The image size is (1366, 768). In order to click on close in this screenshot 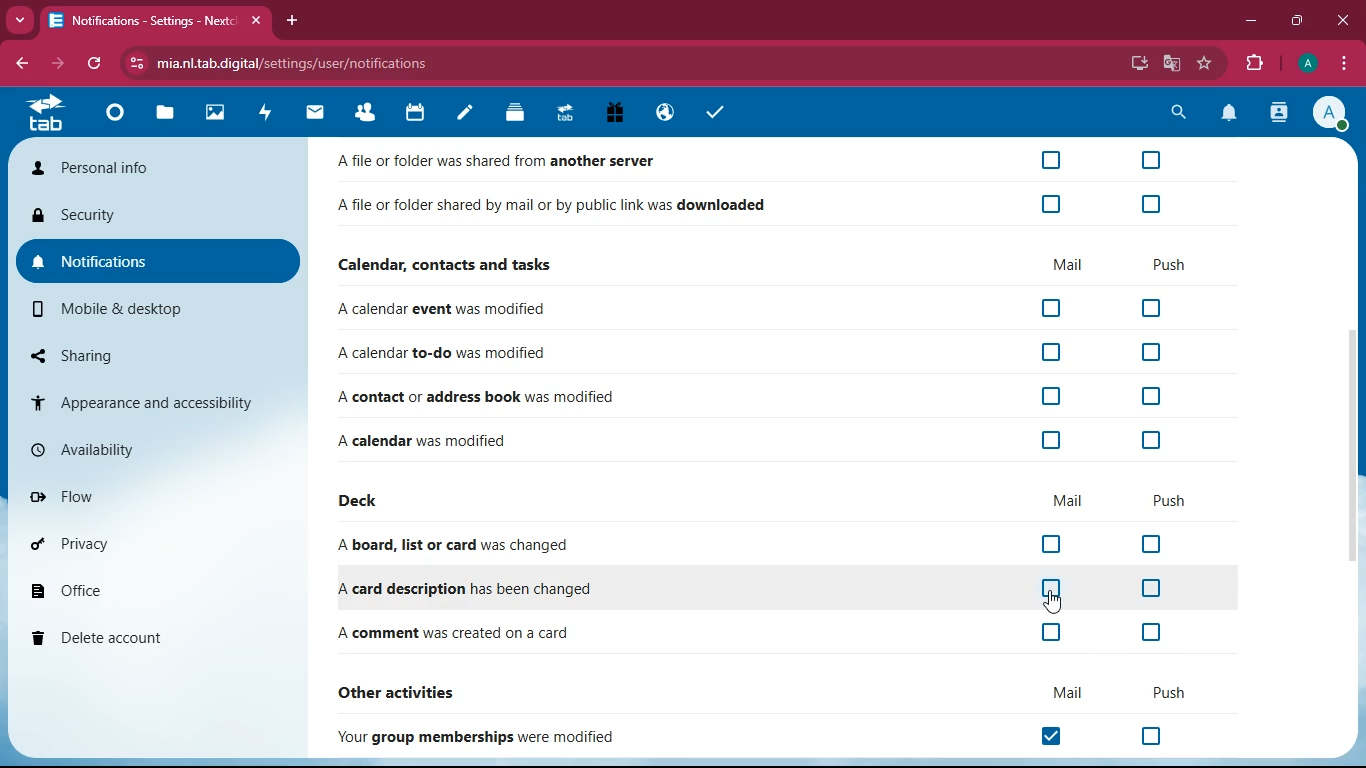, I will do `click(254, 21)`.